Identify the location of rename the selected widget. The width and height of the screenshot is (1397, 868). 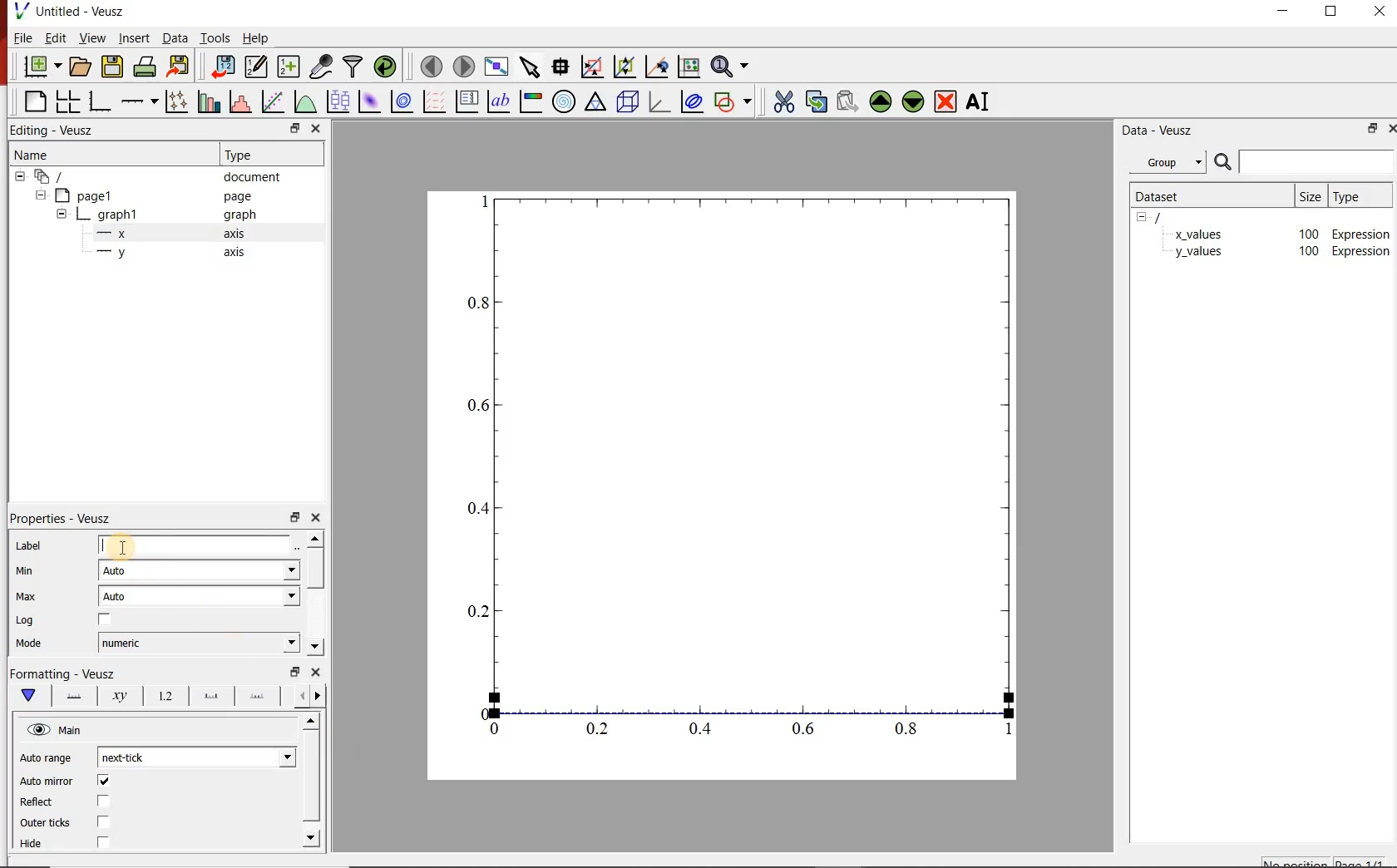
(980, 104).